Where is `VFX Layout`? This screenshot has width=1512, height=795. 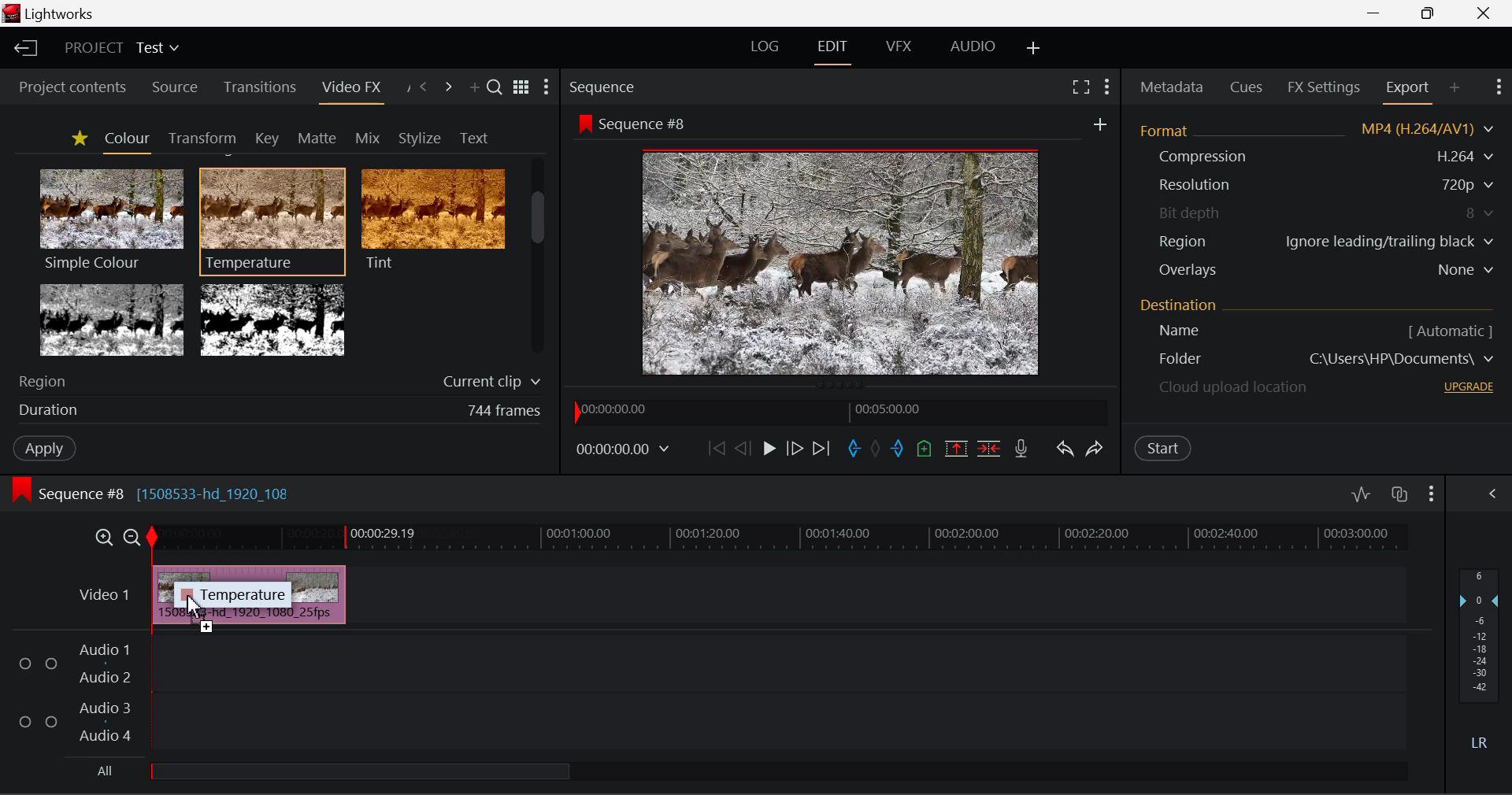 VFX Layout is located at coordinates (897, 48).